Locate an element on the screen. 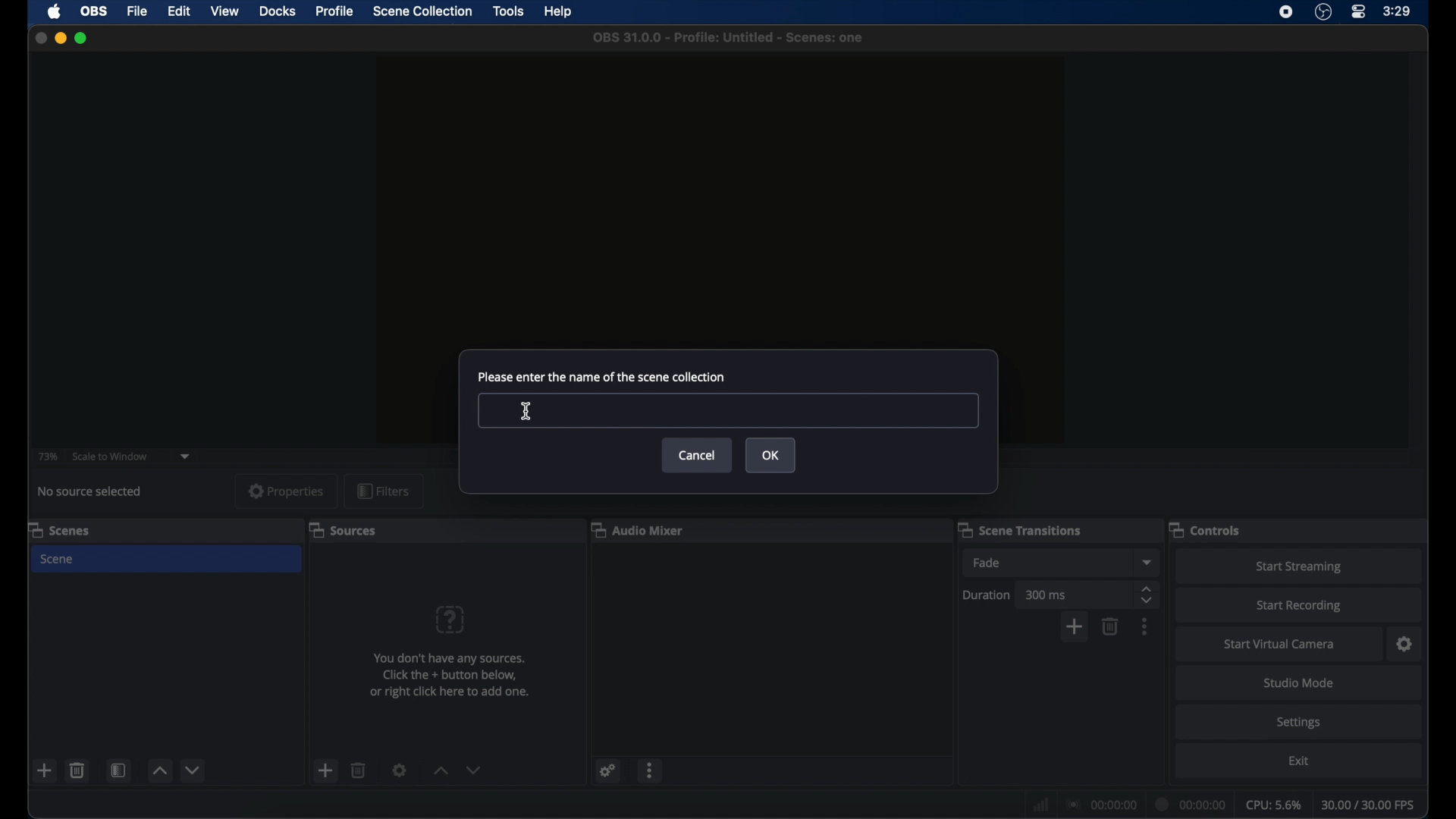  open scene filter is located at coordinates (117, 770).